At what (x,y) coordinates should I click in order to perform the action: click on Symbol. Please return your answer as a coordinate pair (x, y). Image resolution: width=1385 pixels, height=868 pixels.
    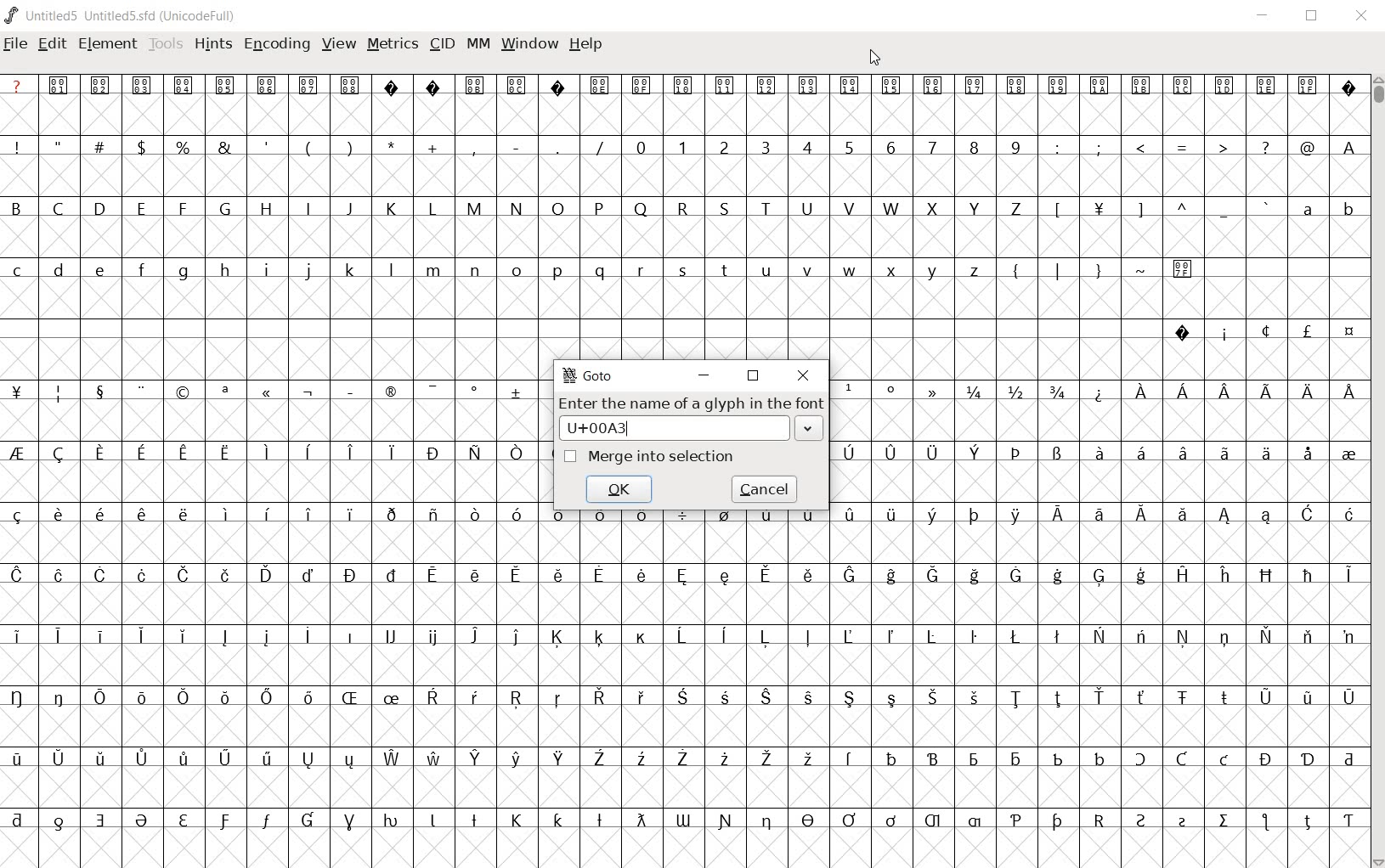
    Looking at the image, I should click on (891, 699).